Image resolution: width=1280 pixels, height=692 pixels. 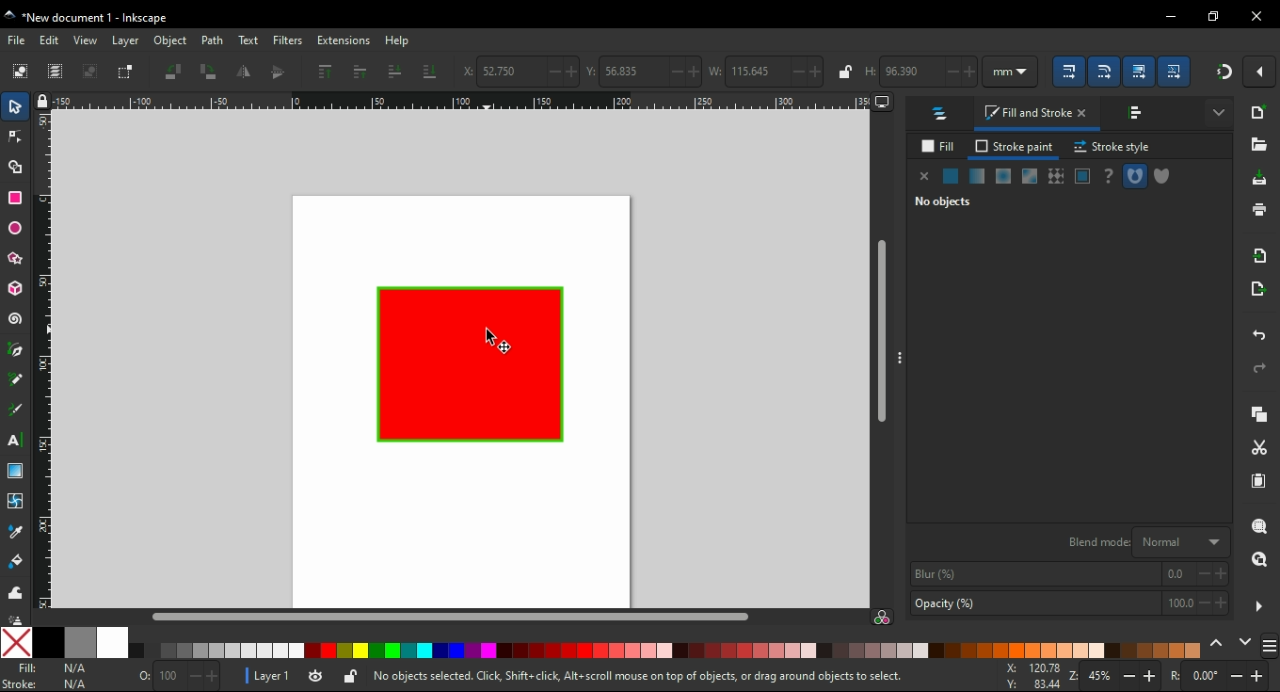 I want to click on scroll bar, so click(x=877, y=334).